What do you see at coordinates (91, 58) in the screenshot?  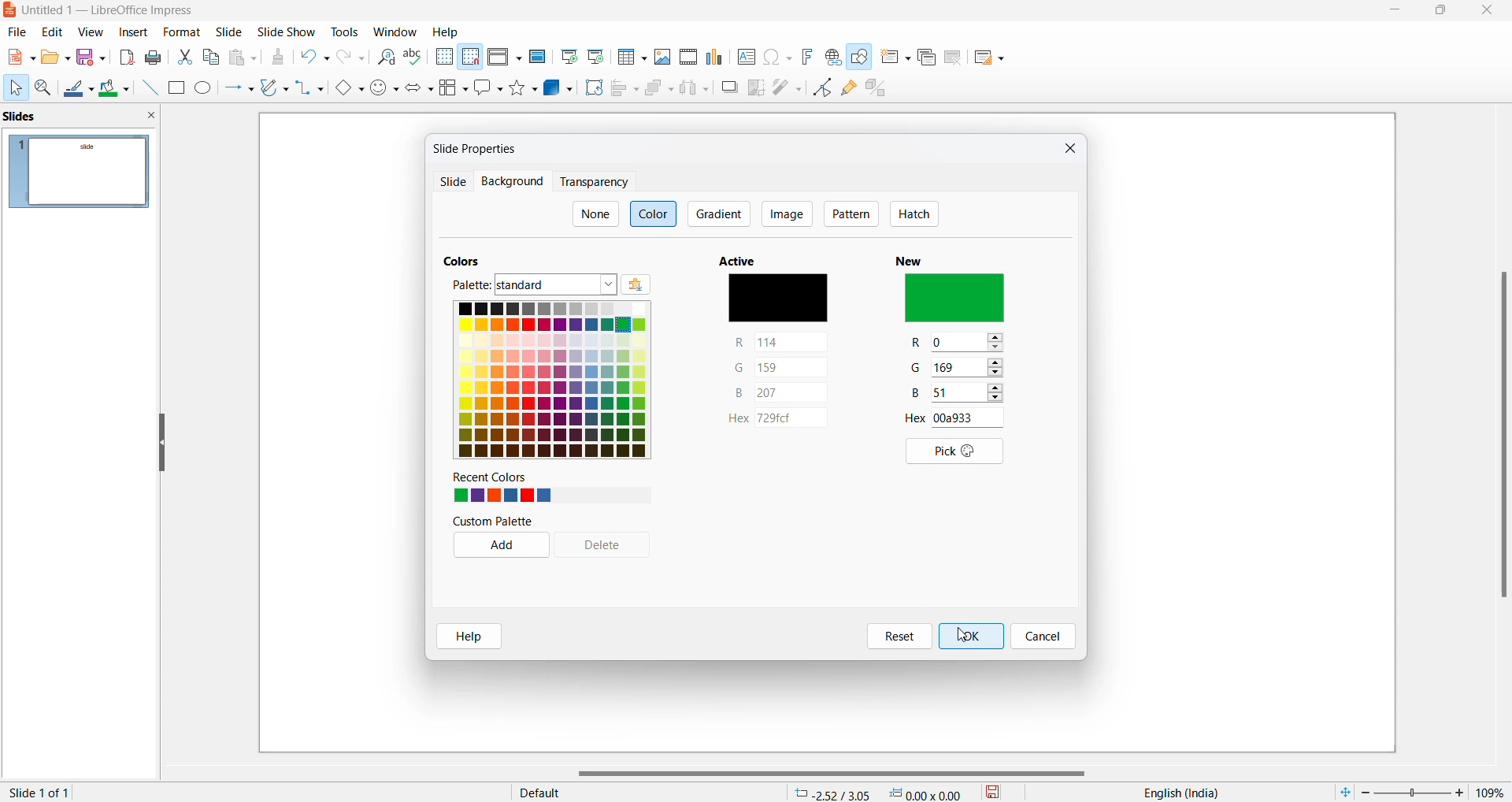 I see `save option` at bounding box center [91, 58].